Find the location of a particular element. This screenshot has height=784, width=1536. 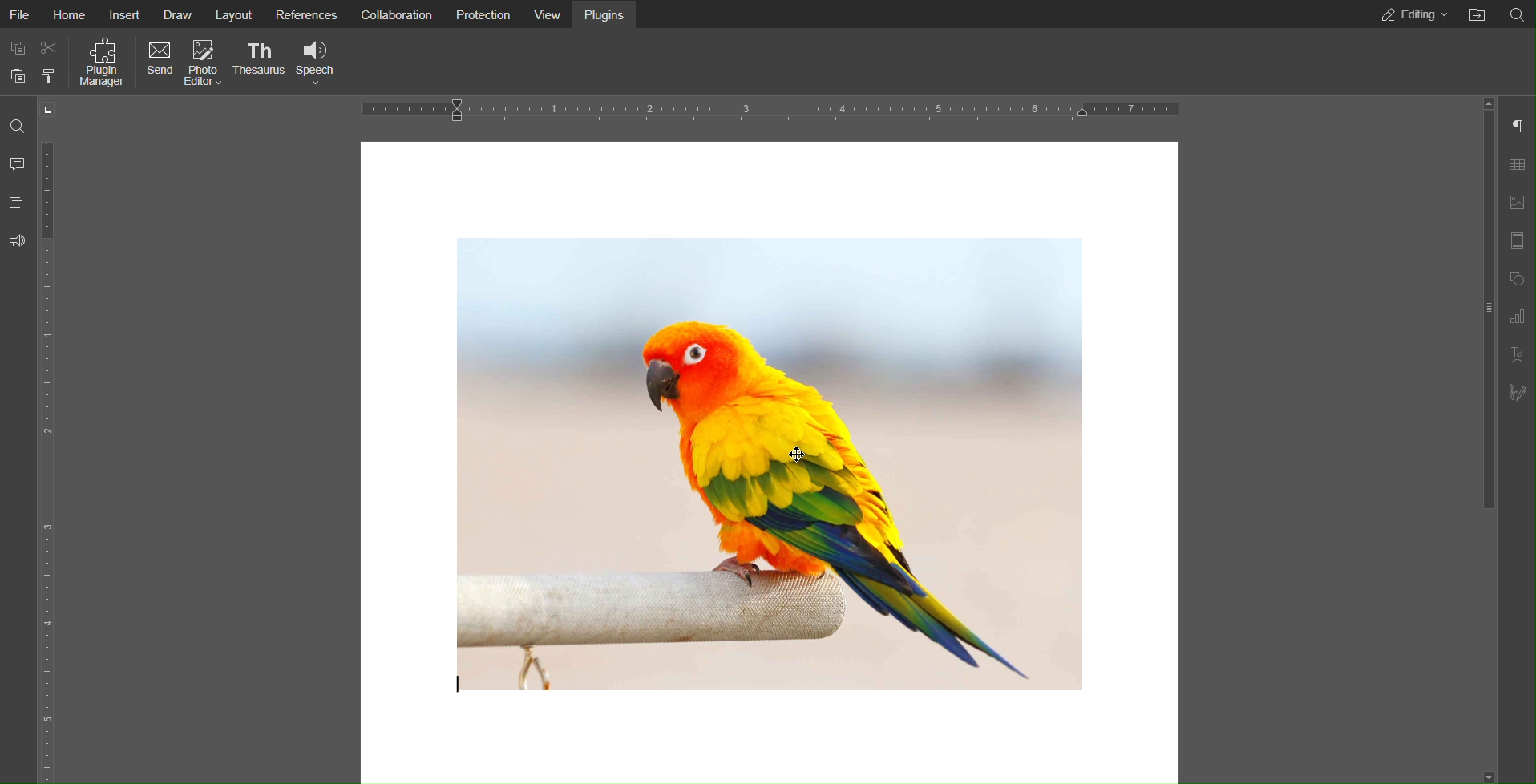

Paragraph Settings is located at coordinates (1516, 127).